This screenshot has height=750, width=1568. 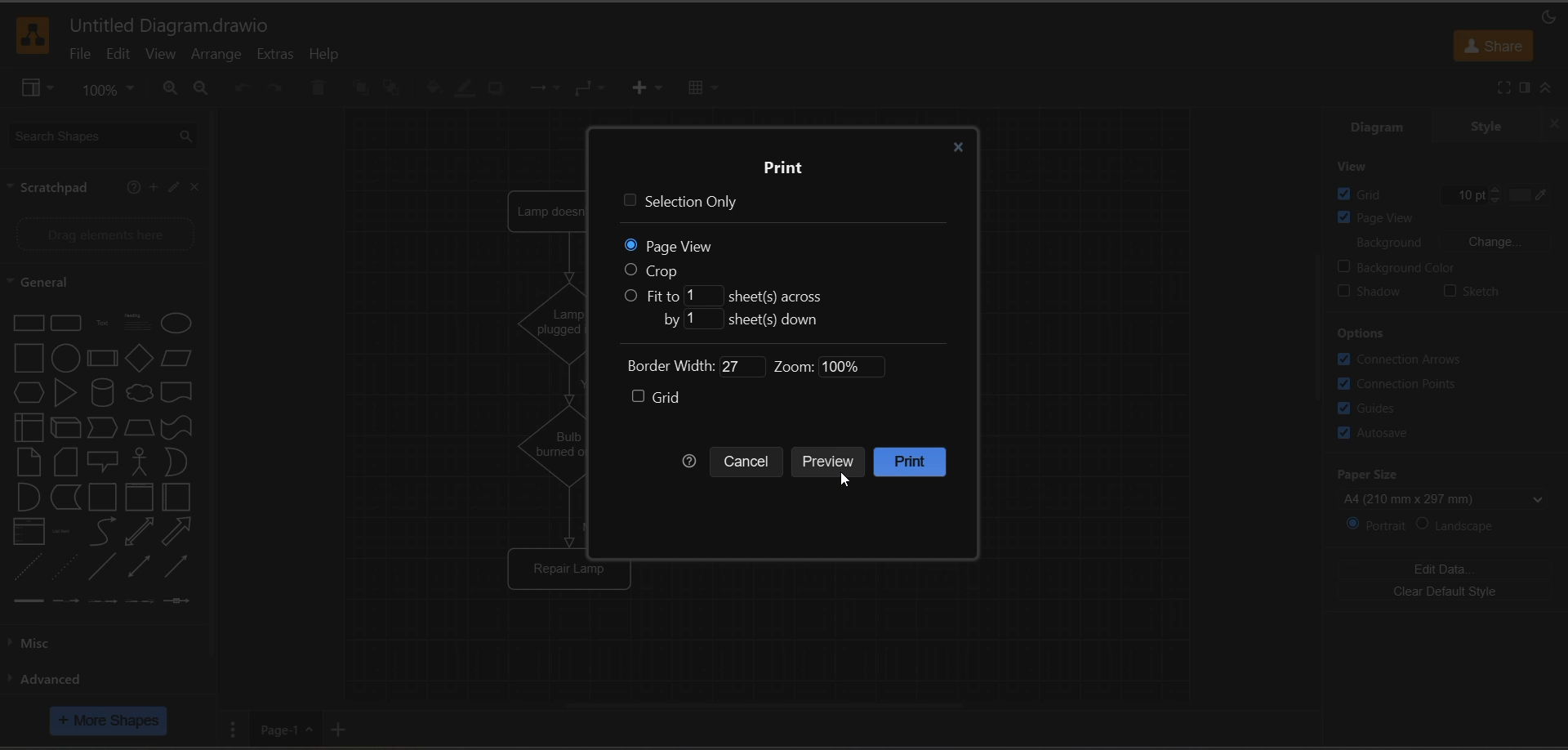 I want to click on sketch, so click(x=1473, y=292).